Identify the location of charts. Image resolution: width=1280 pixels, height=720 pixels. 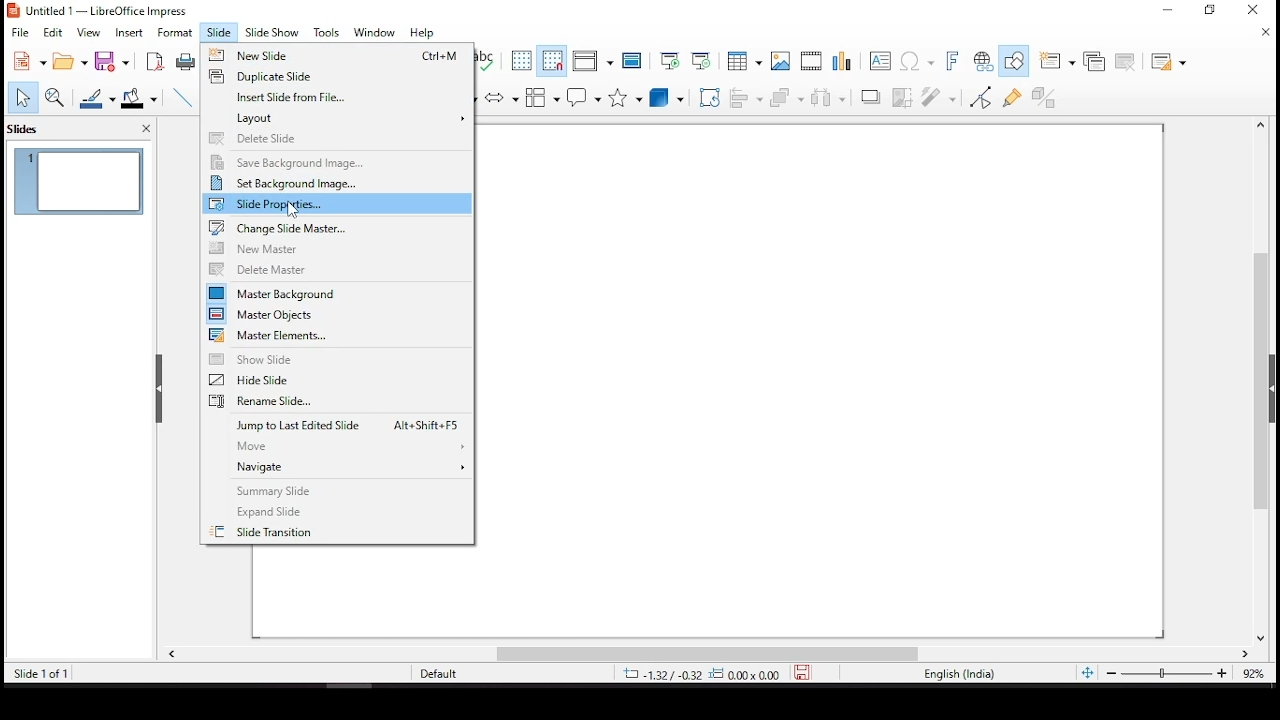
(842, 59).